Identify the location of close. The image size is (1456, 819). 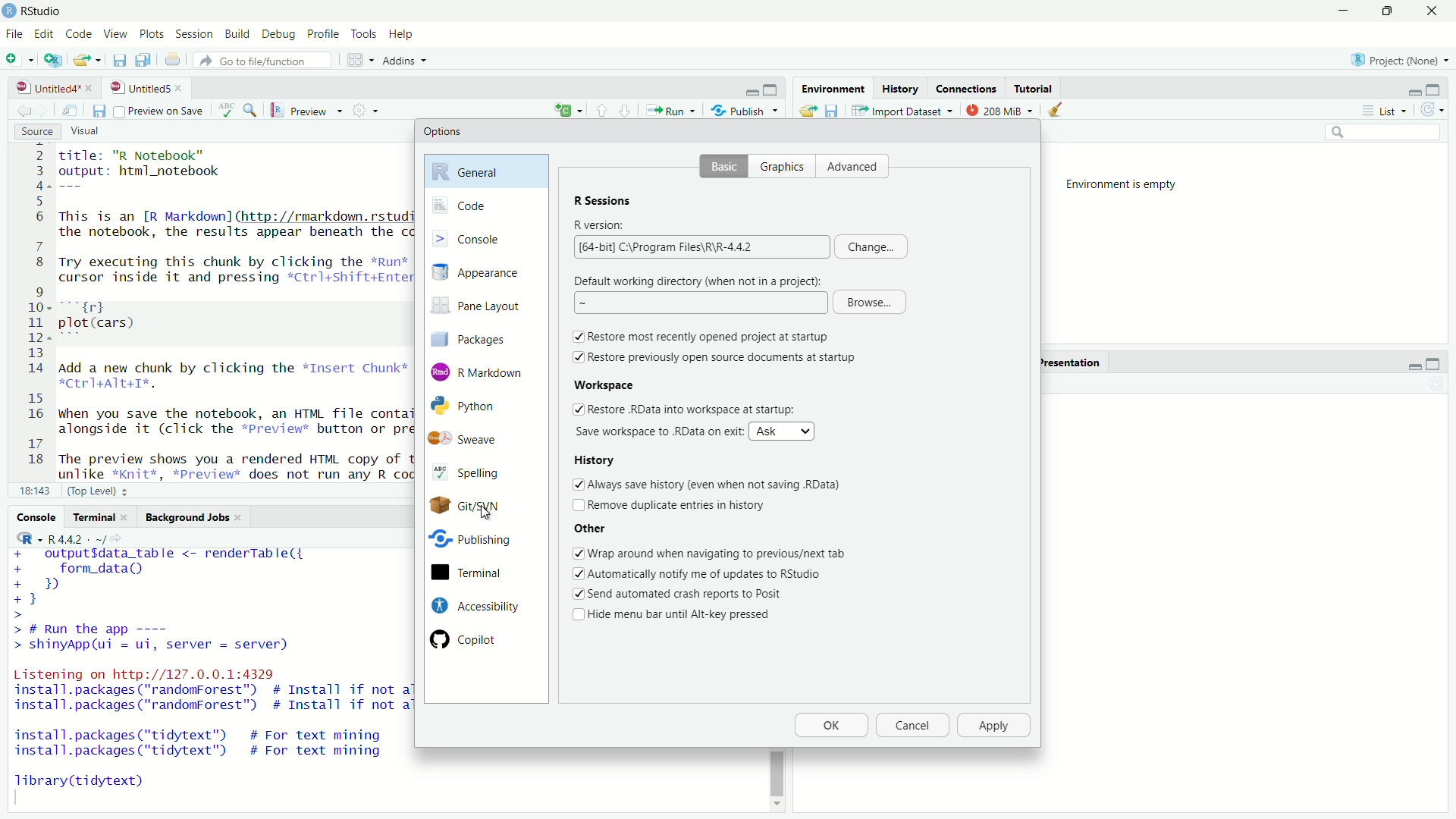
(92, 88).